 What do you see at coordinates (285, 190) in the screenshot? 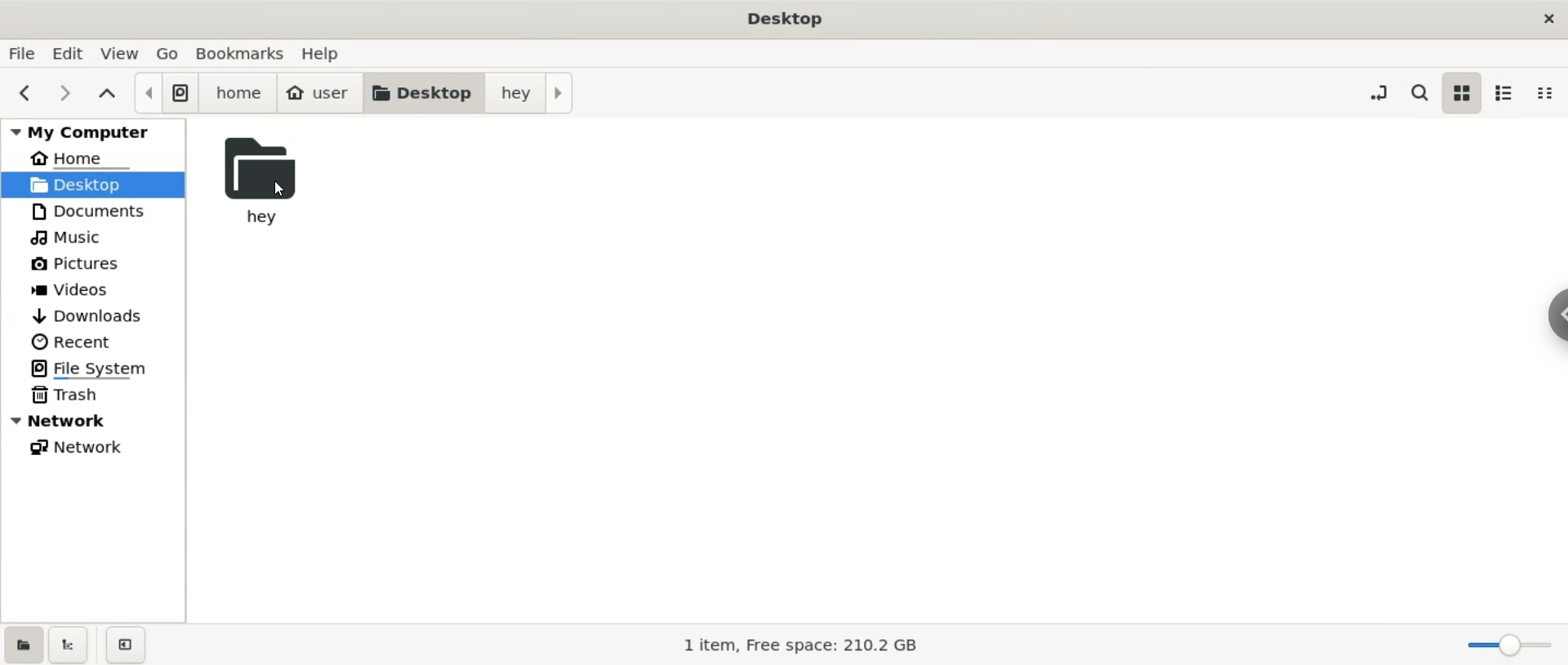
I see `cursor` at bounding box center [285, 190].